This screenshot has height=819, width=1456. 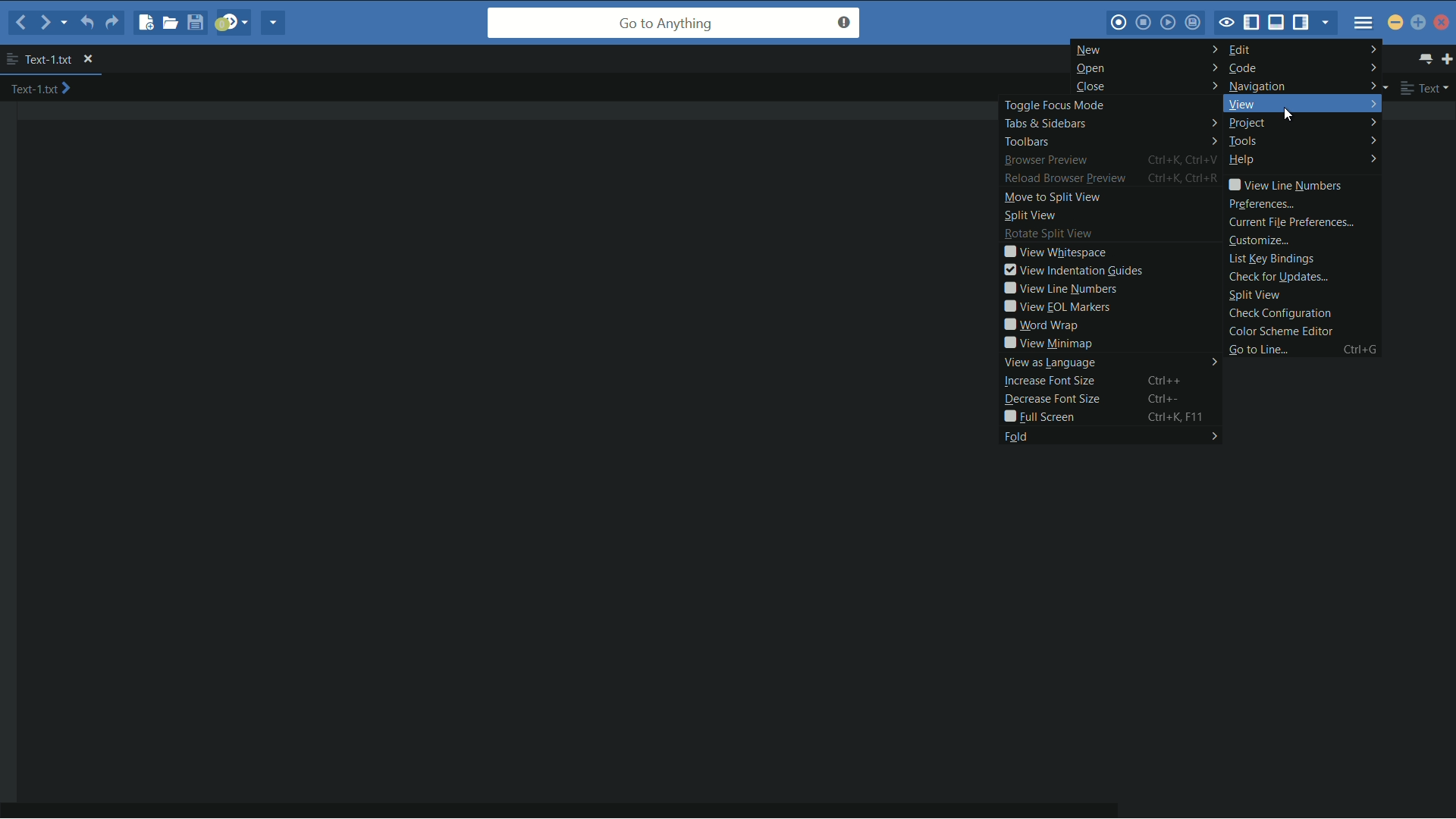 What do you see at coordinates (275, 24) in the screenshot?
I see `share current file` at bounding box center [275, 24].